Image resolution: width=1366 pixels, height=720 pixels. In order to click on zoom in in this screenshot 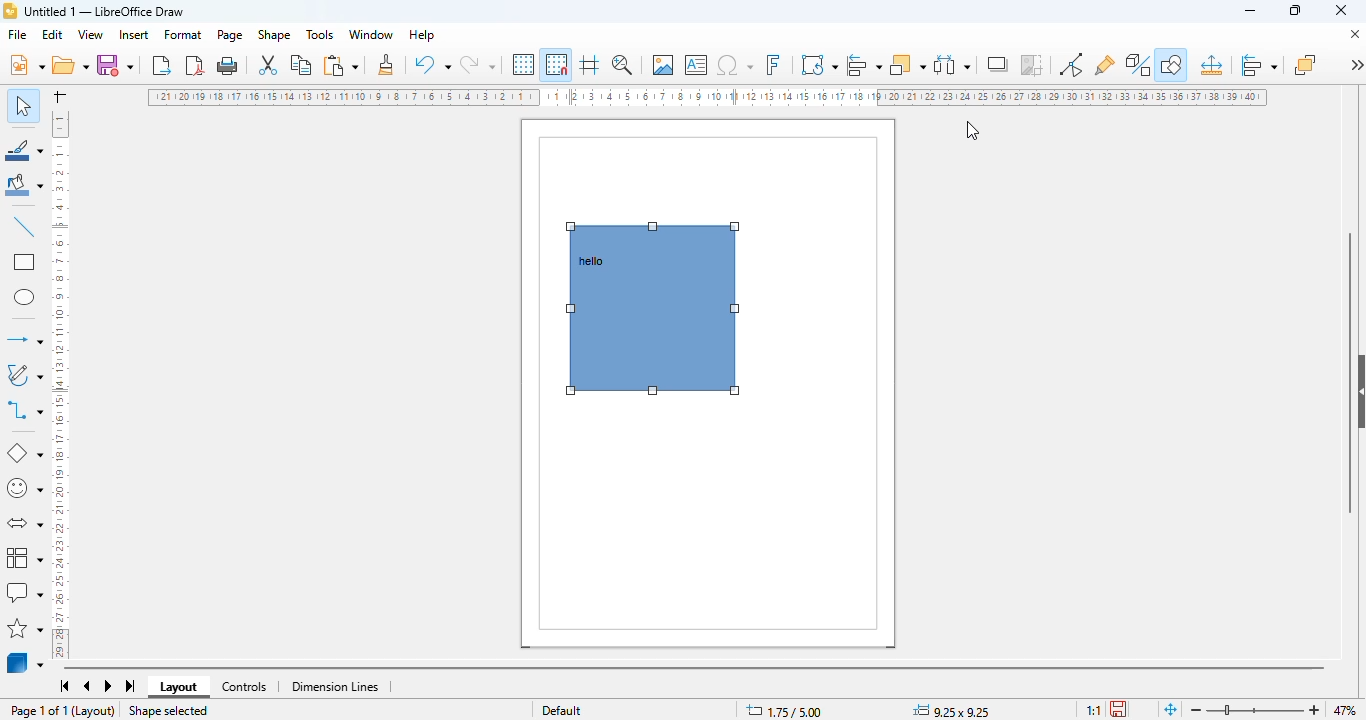, I will do `click(1316, 710)`.